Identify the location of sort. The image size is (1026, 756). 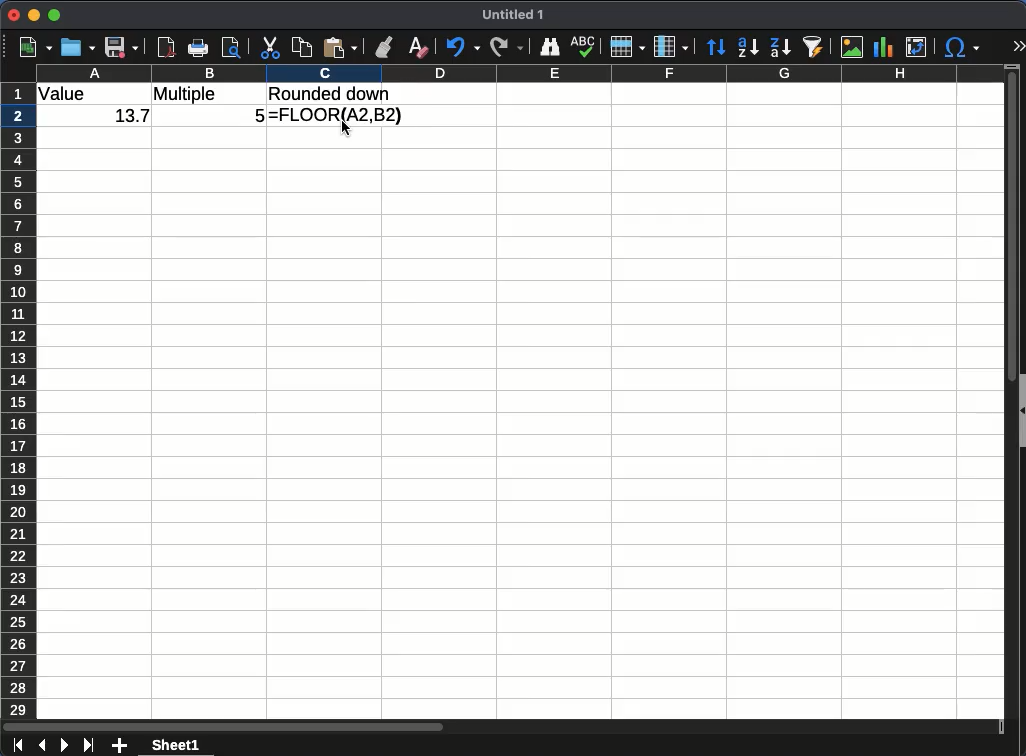
(716, 48).